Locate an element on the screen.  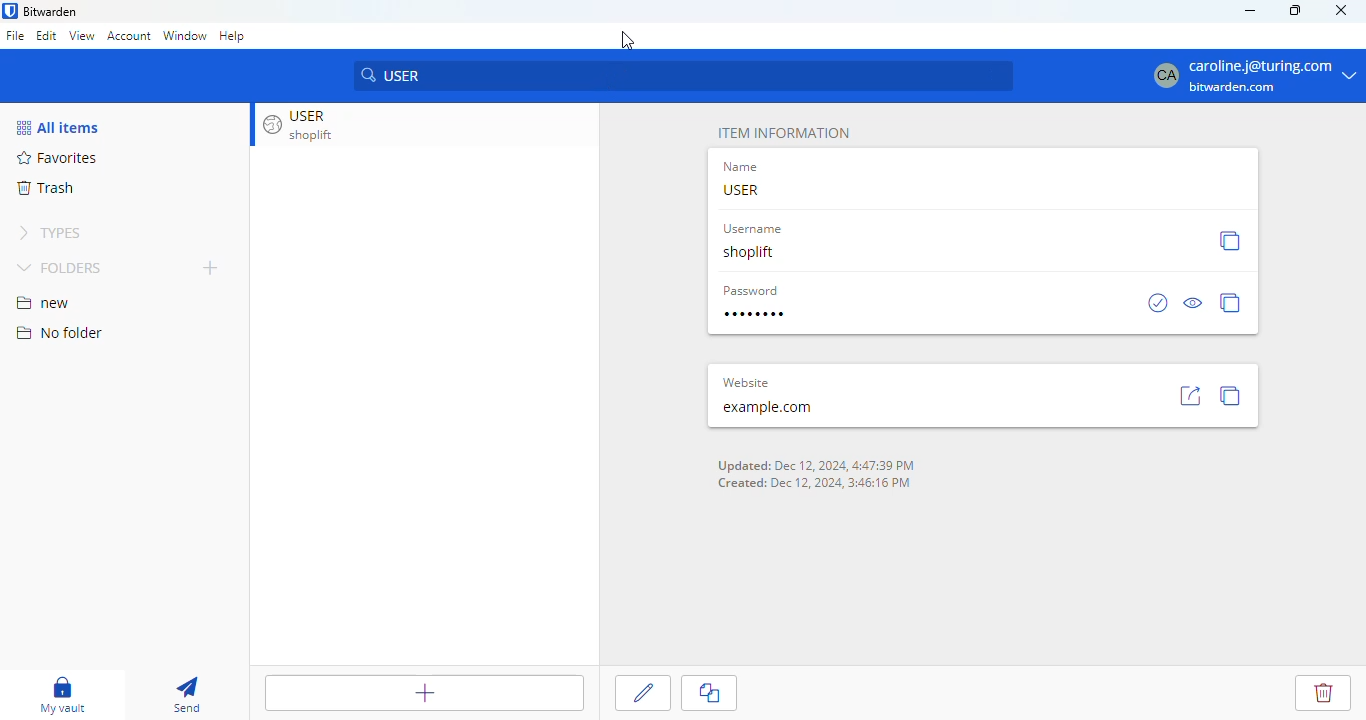
maximize is located at coordinates (1296, 10).